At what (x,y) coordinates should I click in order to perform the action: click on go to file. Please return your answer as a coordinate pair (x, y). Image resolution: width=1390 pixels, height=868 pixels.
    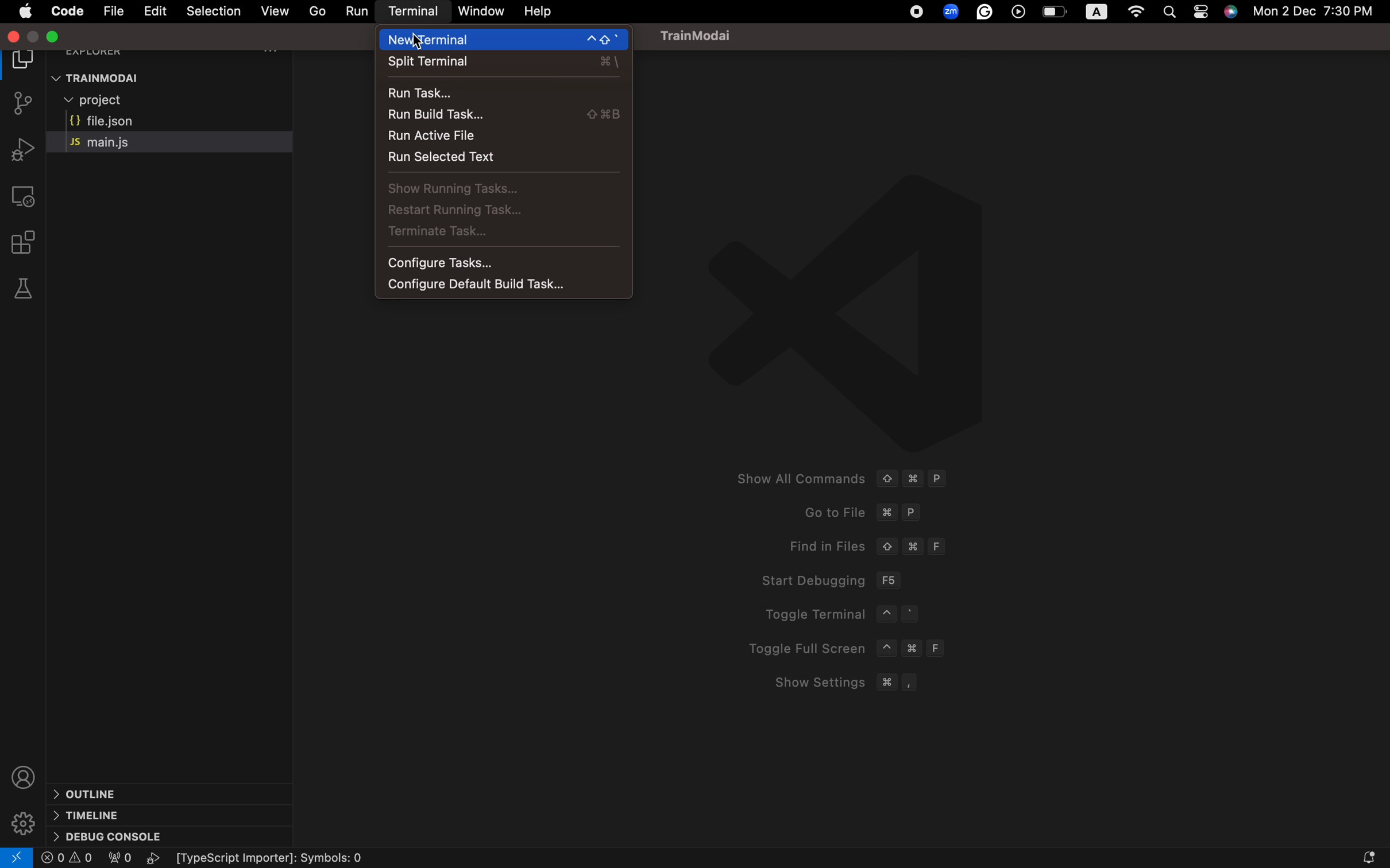
    Looking at the image, I should click on (318, 10).